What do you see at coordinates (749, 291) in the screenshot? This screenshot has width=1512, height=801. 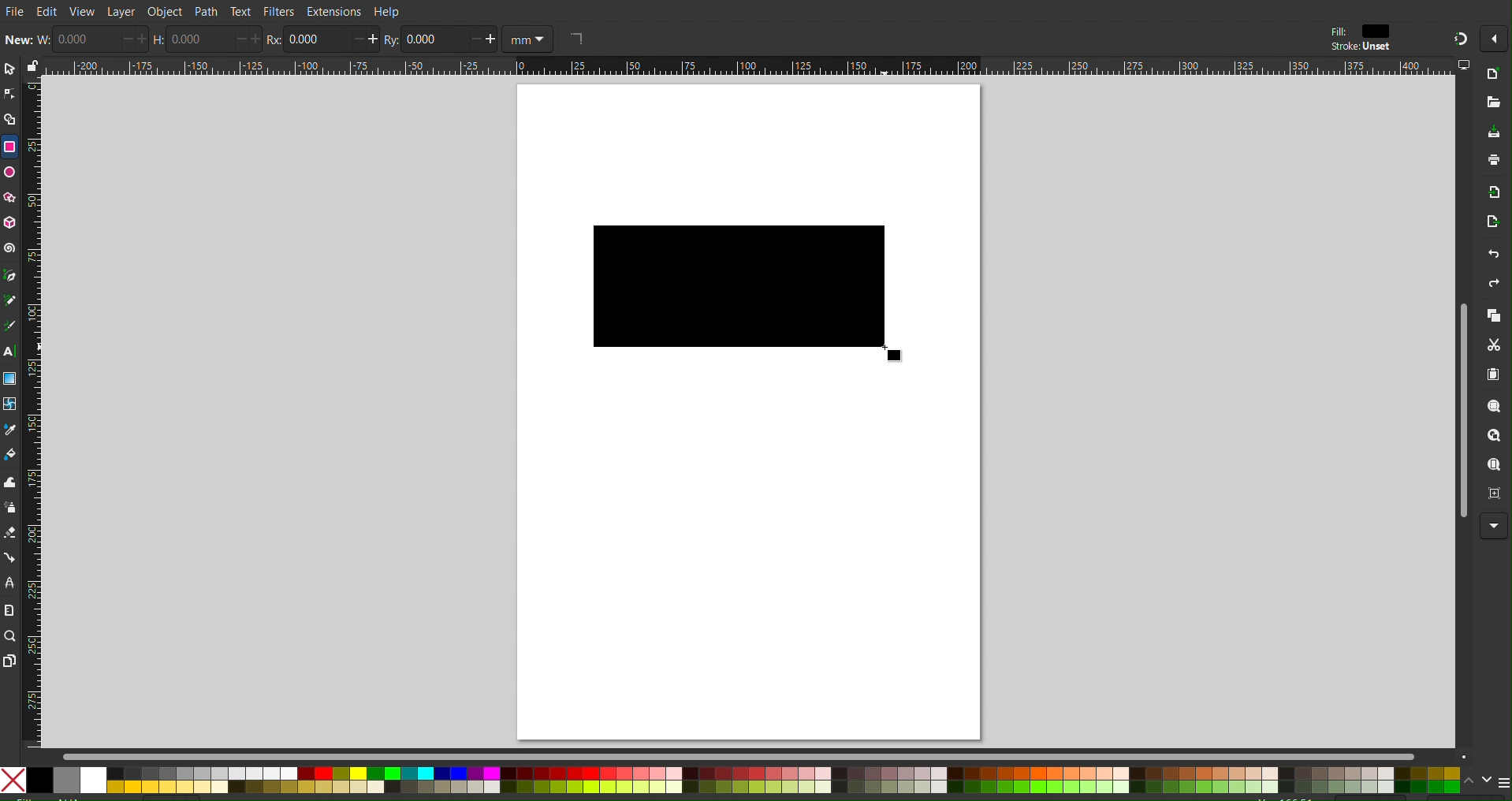 I see `Rectangle (dragged)` at bounding box center [749, 291].